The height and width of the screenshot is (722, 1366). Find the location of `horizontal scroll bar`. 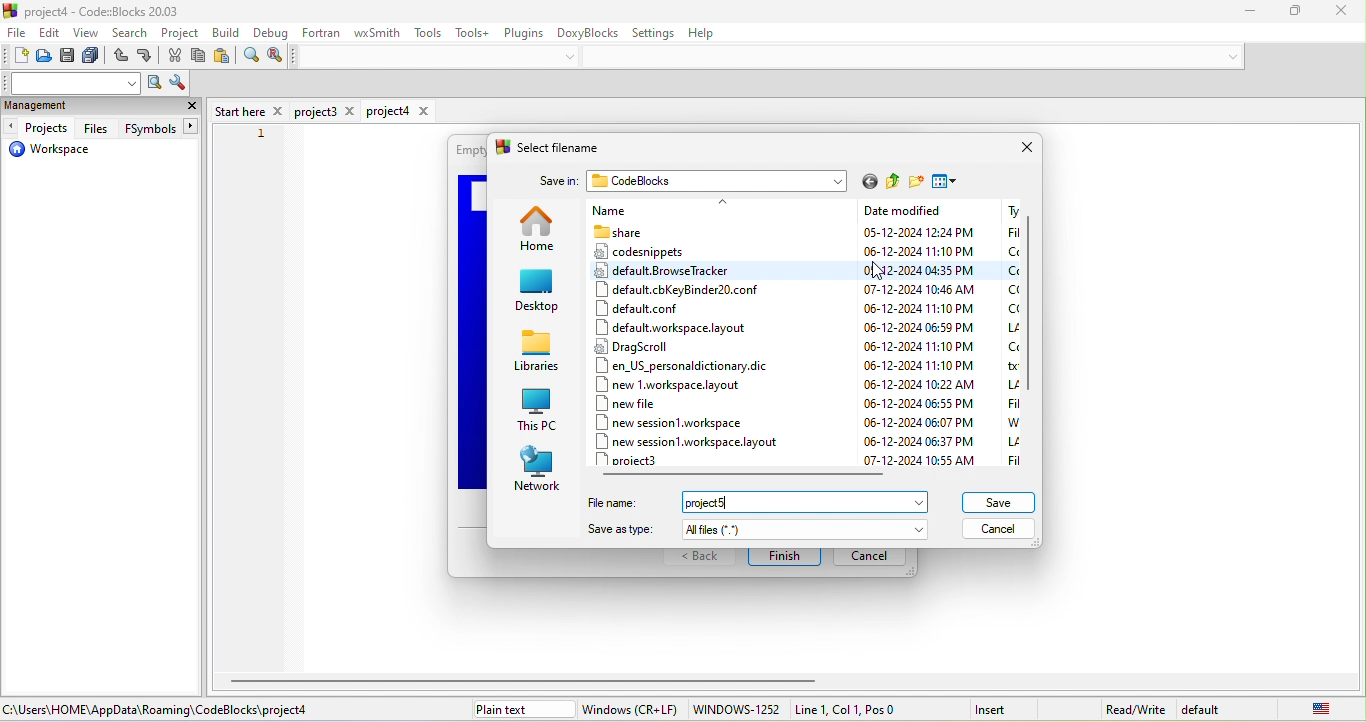

horizontal scroll bar is located at coordinates (748, 476).